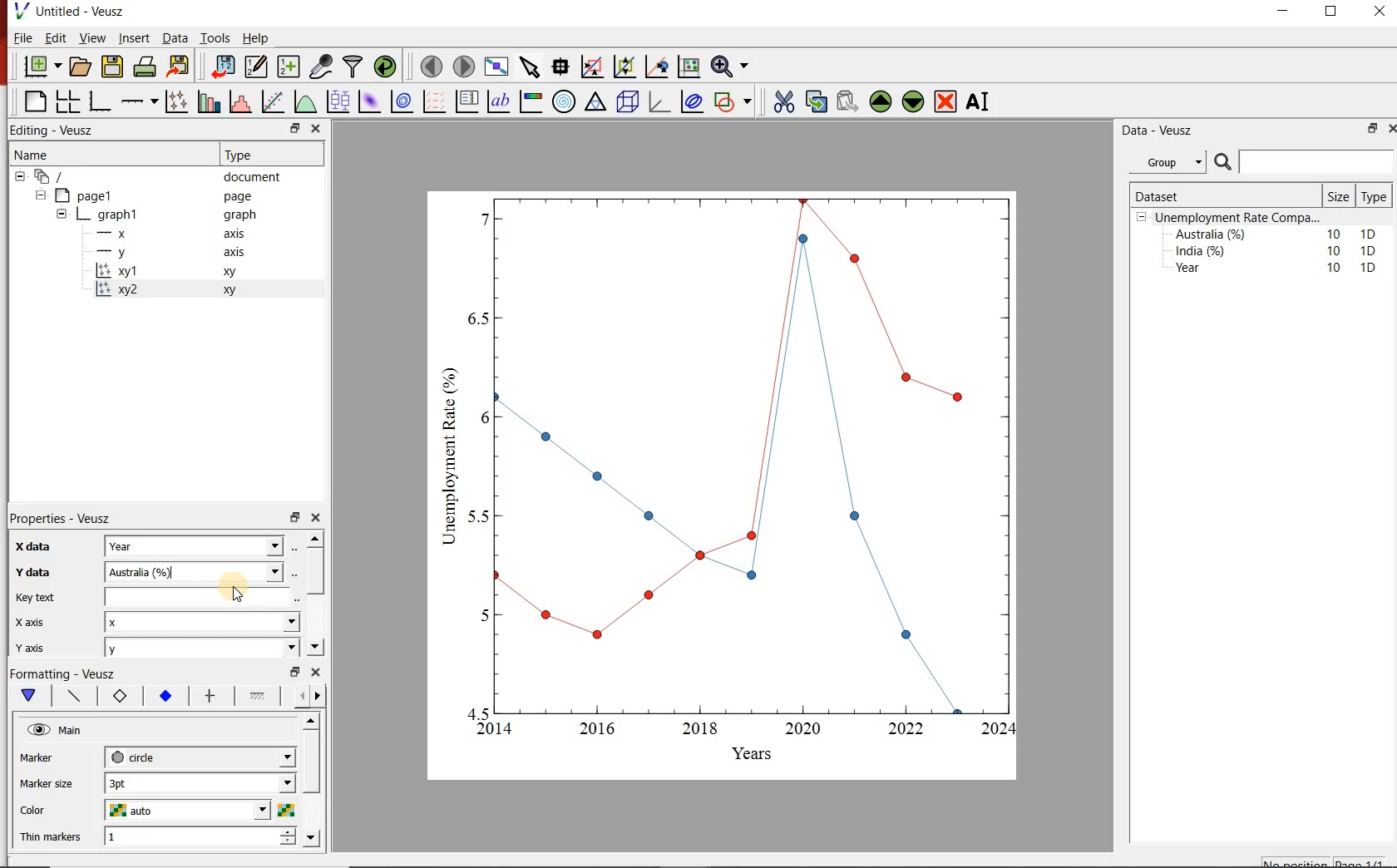 This screenshot has height=868, width=1397. Describe the element at coordinates (1239, 218) in the screenshot. I see `Unemployment Rate Compa...` at that location.